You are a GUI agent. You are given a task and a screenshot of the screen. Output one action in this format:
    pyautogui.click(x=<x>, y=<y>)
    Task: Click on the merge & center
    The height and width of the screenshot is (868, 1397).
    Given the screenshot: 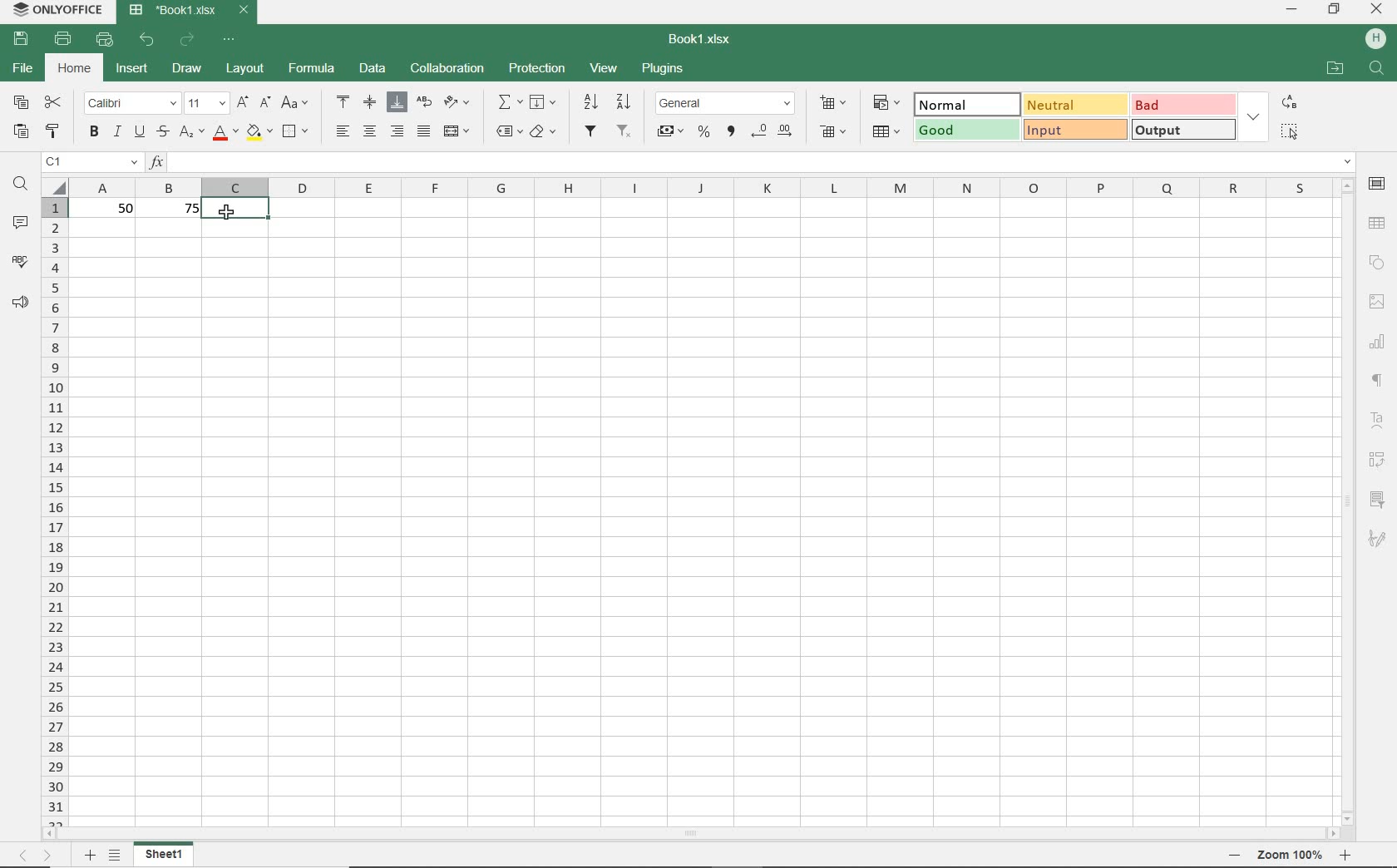 What is the action you would take?
    pyautogui.click(x=457, y=131)
    